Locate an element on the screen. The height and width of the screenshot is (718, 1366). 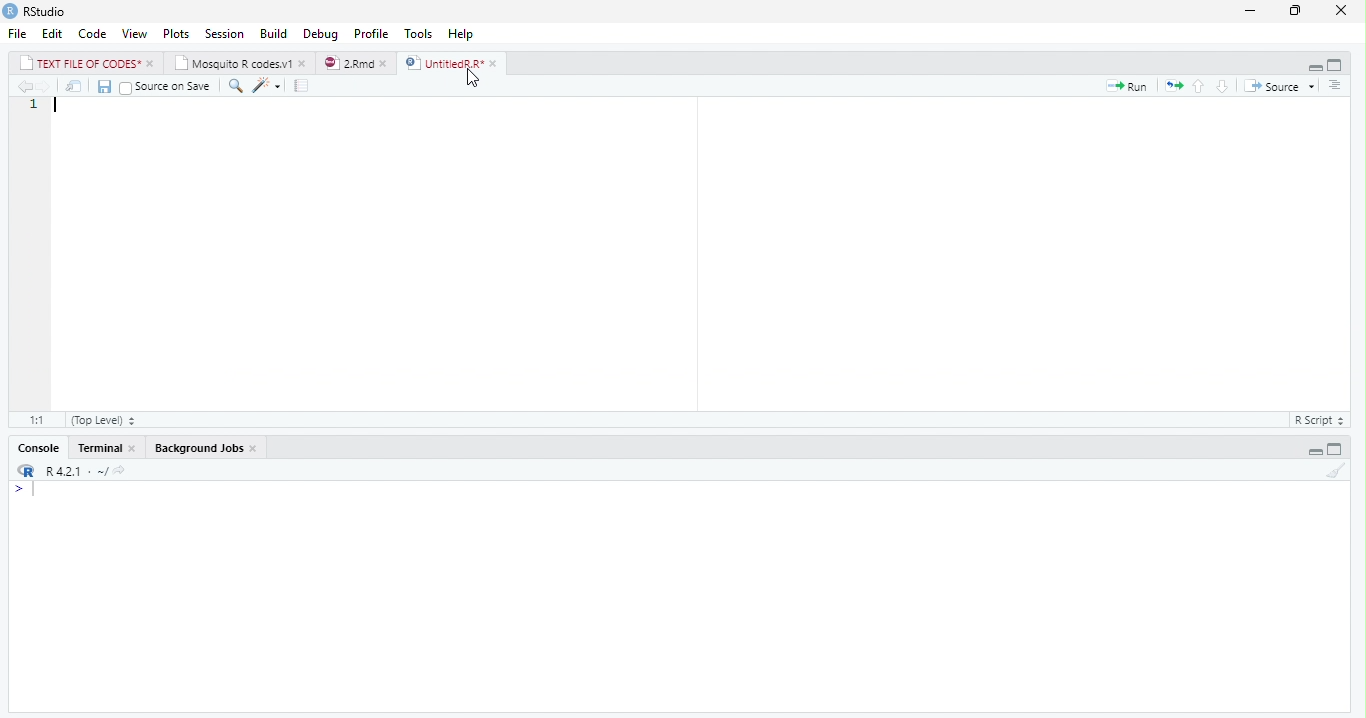
plots is located at coordinates (177, 34).